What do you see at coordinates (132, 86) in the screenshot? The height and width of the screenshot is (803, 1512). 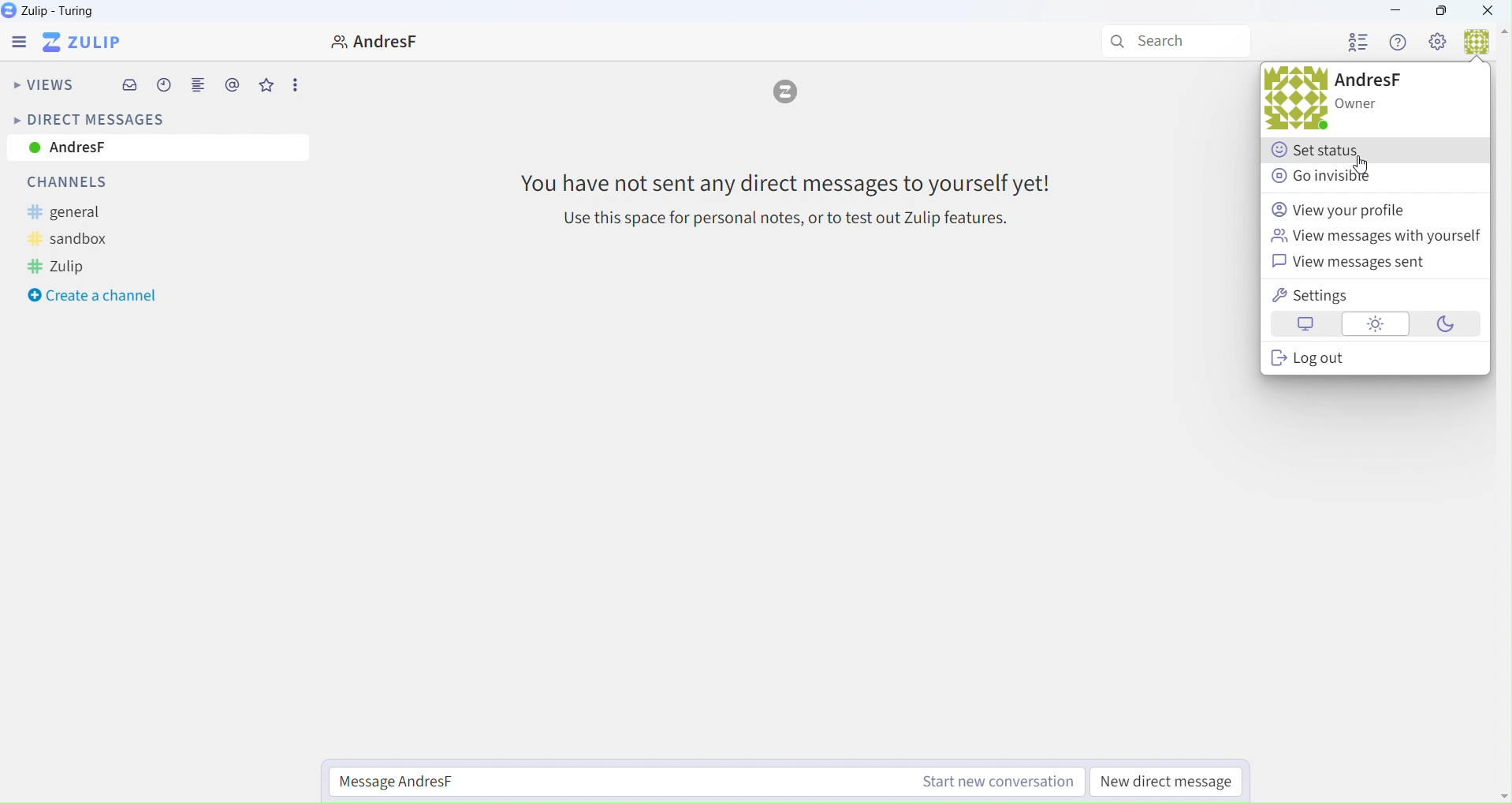 I see `Inbox` at bounding box center [132, 86].